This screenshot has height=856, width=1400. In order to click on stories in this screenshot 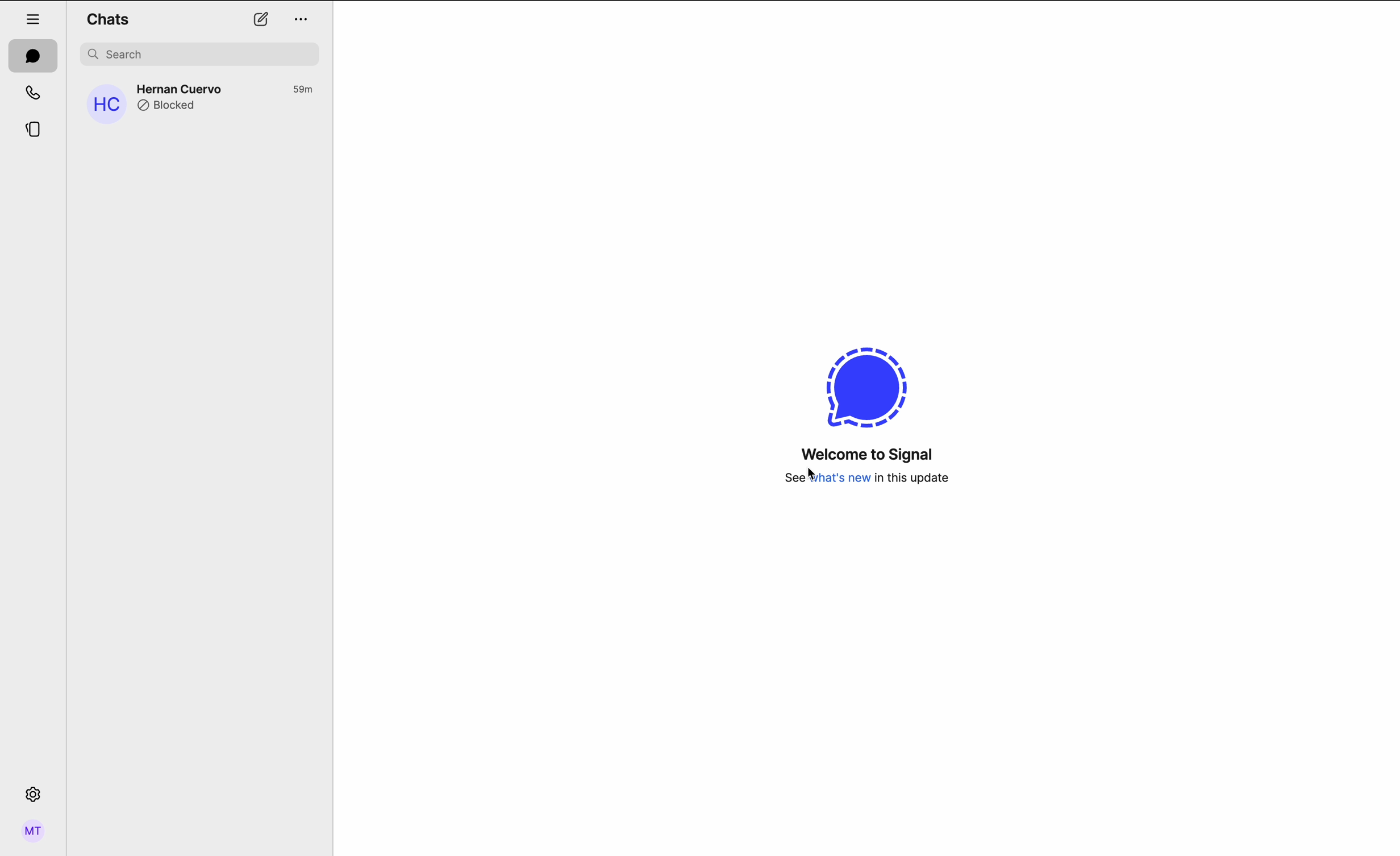, I will do `click(35, 131)`.